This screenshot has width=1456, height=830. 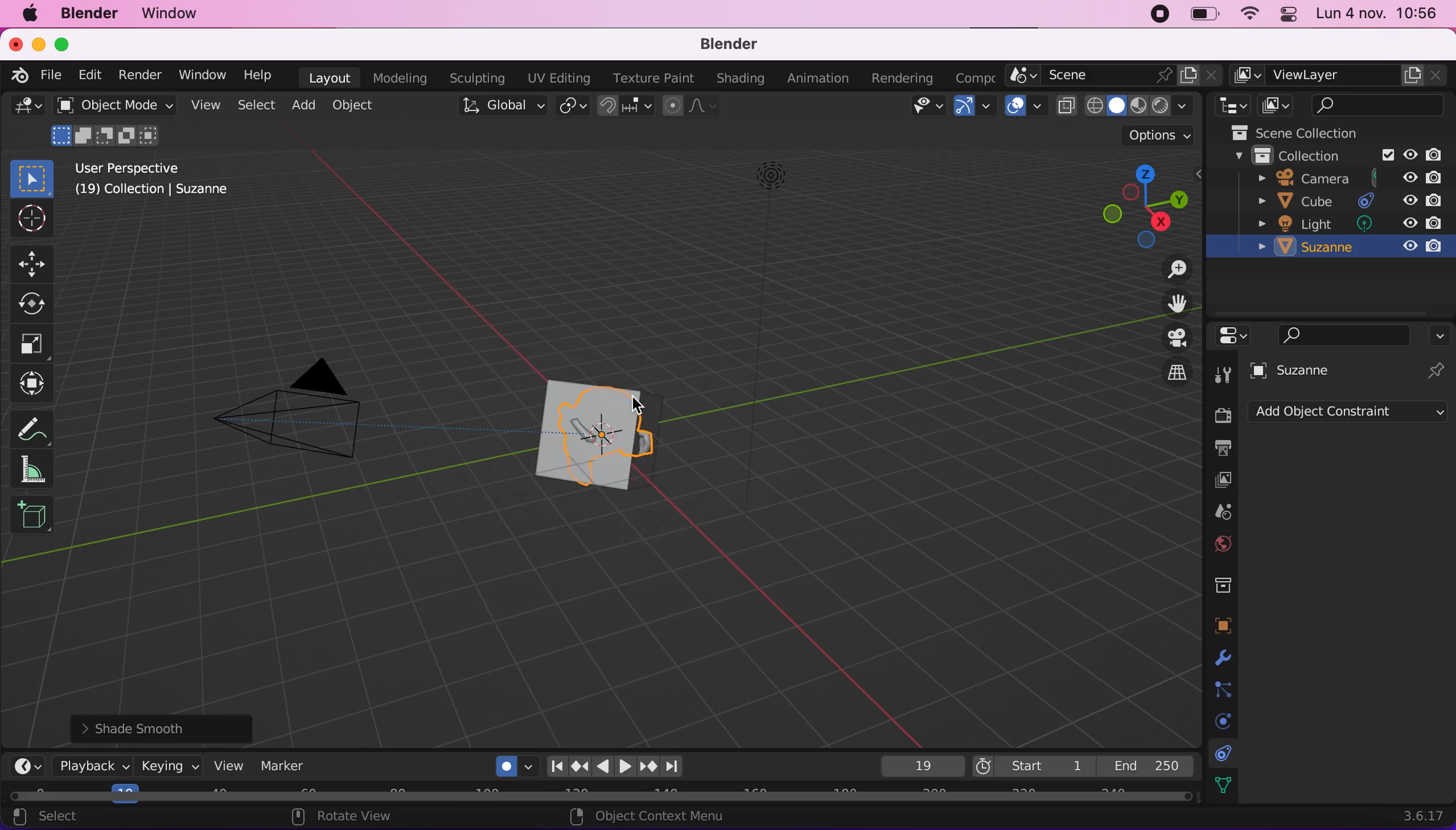 I want to click on scene, so click(x=1098, y=76).